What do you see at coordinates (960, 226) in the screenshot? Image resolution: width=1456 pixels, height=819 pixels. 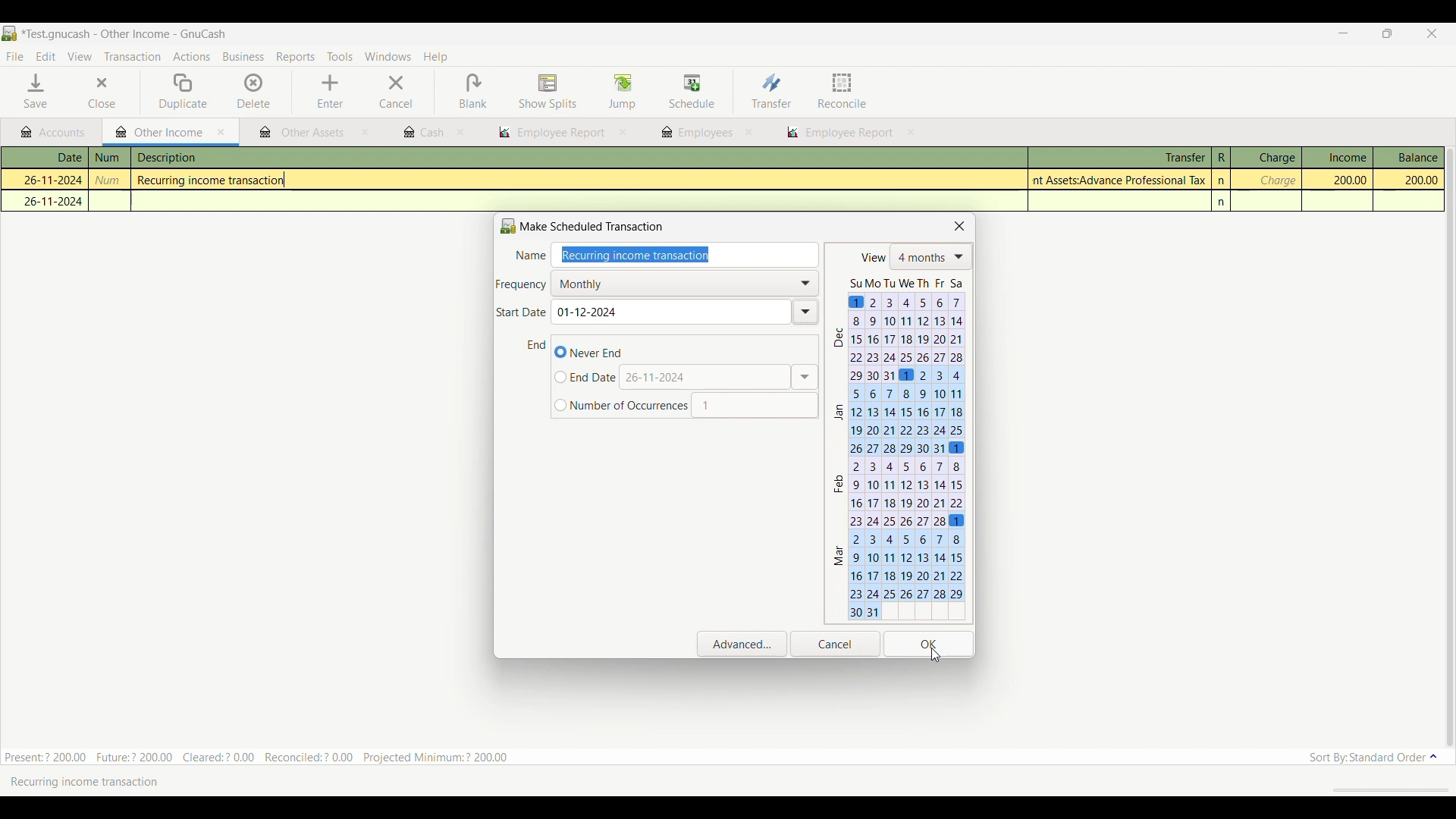 I see `Close scheduled ` at bounding box center [960, 226].